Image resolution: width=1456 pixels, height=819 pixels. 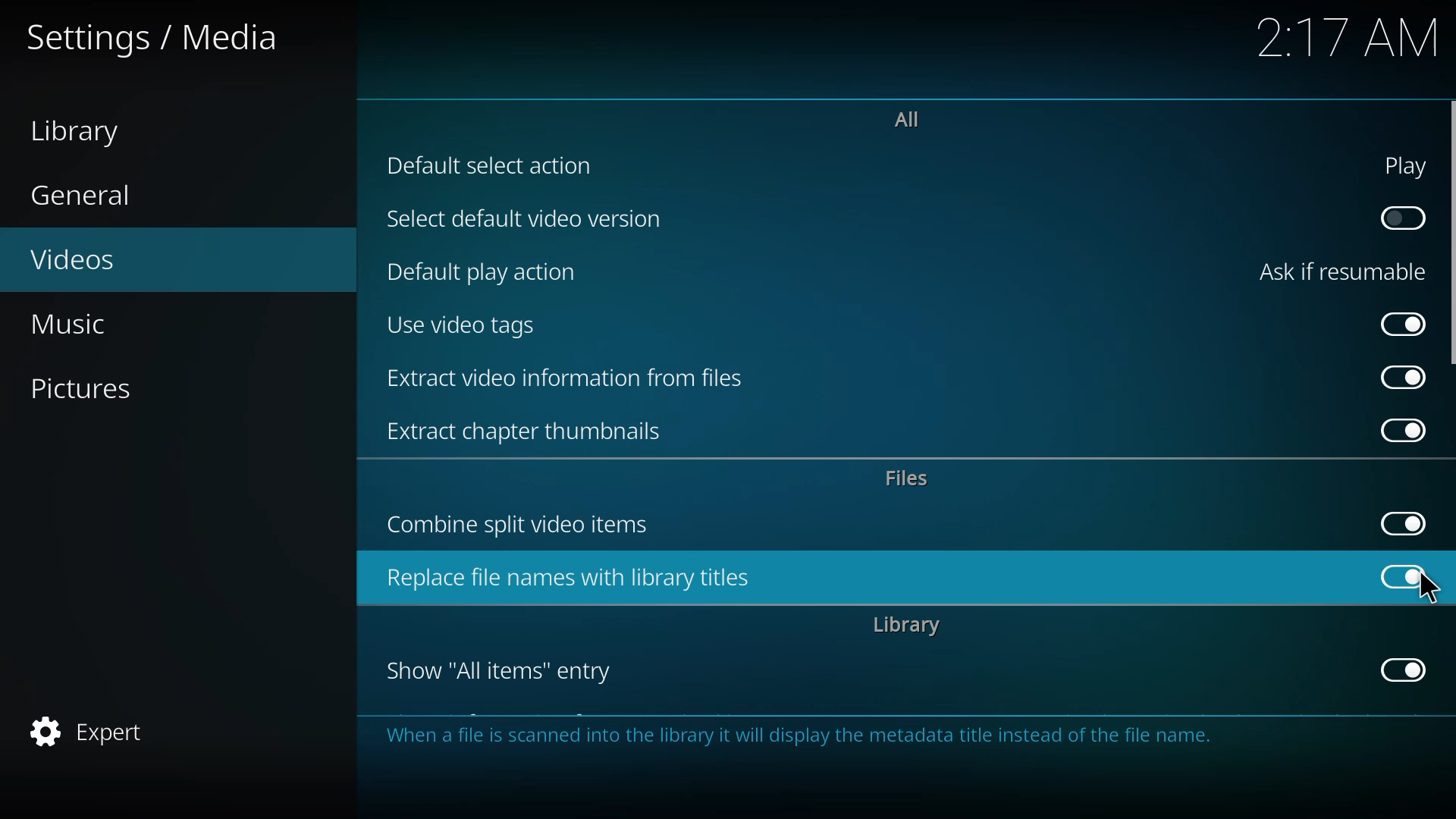 I want to click on cursor, so click(x=1429, y=589).